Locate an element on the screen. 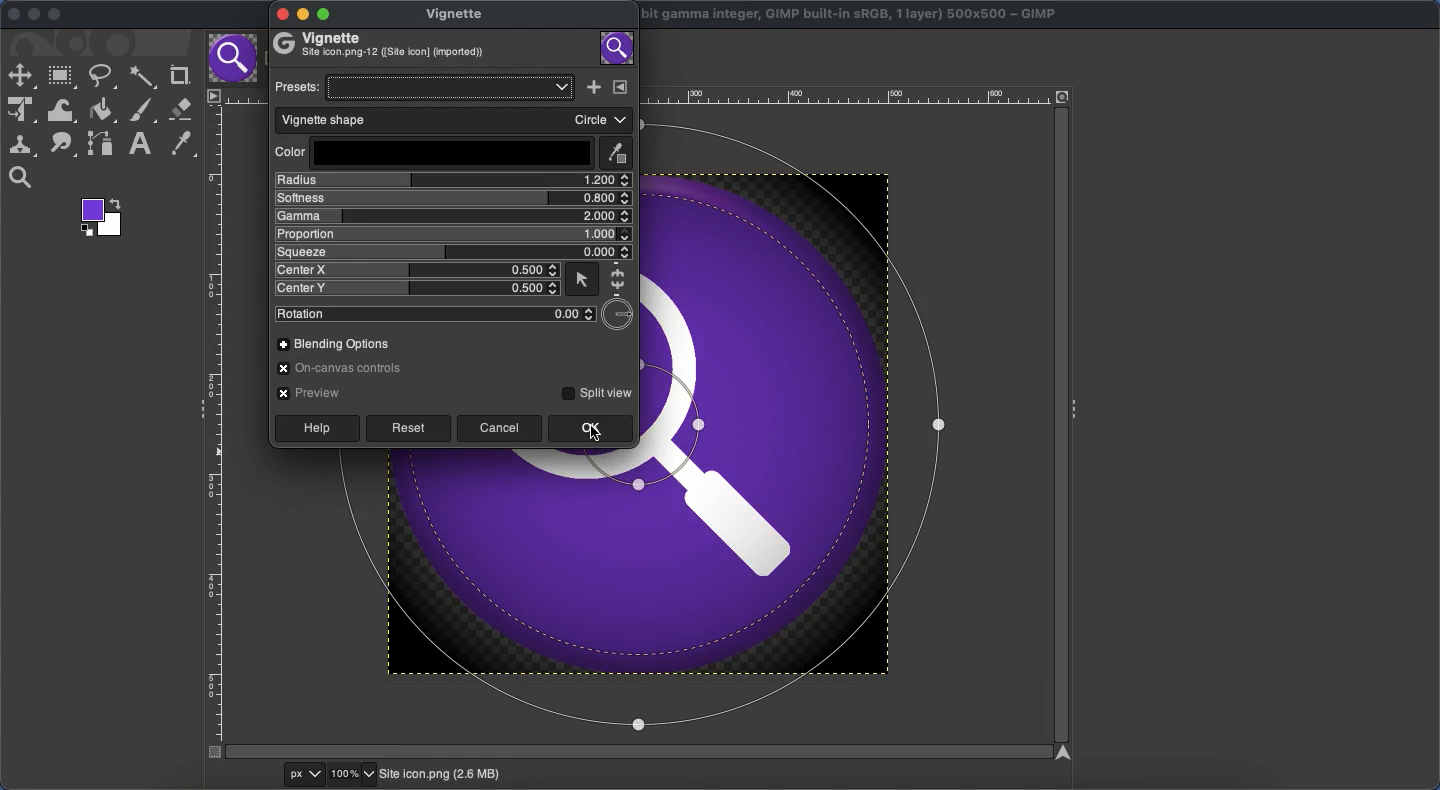  Rotation is located at coordinates (620, 313).